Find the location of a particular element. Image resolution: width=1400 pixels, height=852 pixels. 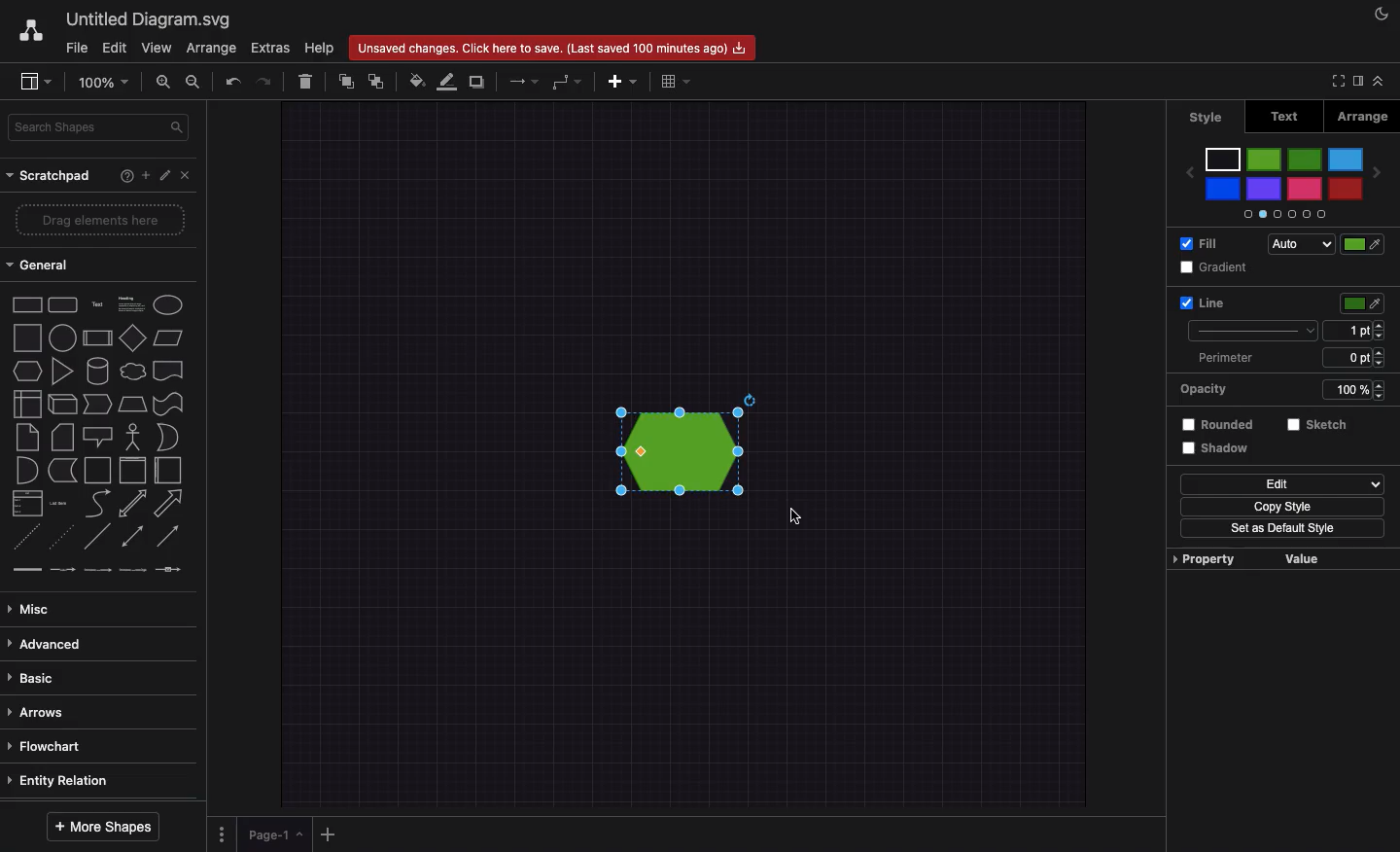

Fill  is located at coordinates (415, 82).